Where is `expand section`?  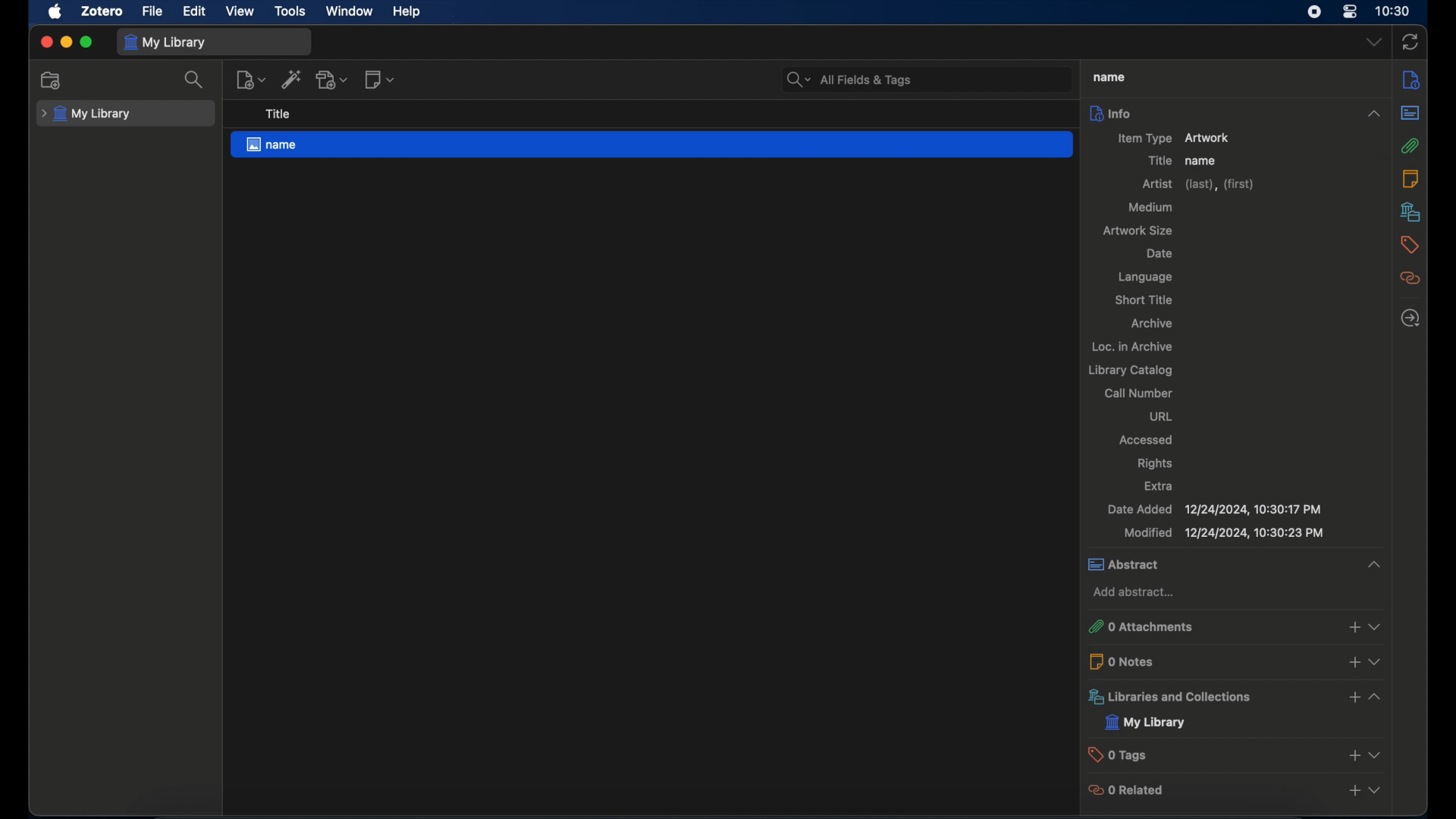
expand section is located at coordinates (1383, 755).